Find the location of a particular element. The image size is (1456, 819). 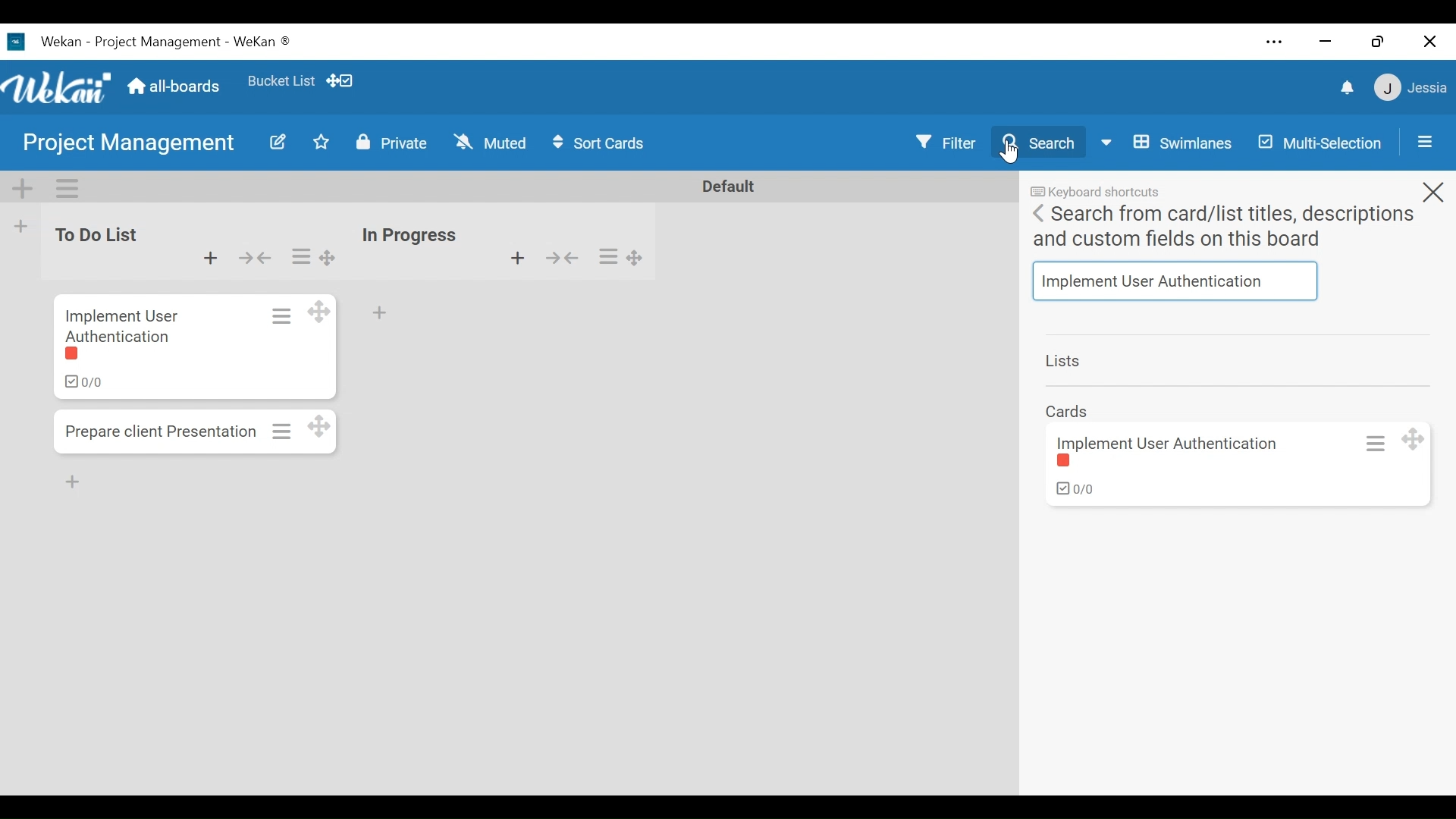

member menu is located at coordinates (1410, 88).